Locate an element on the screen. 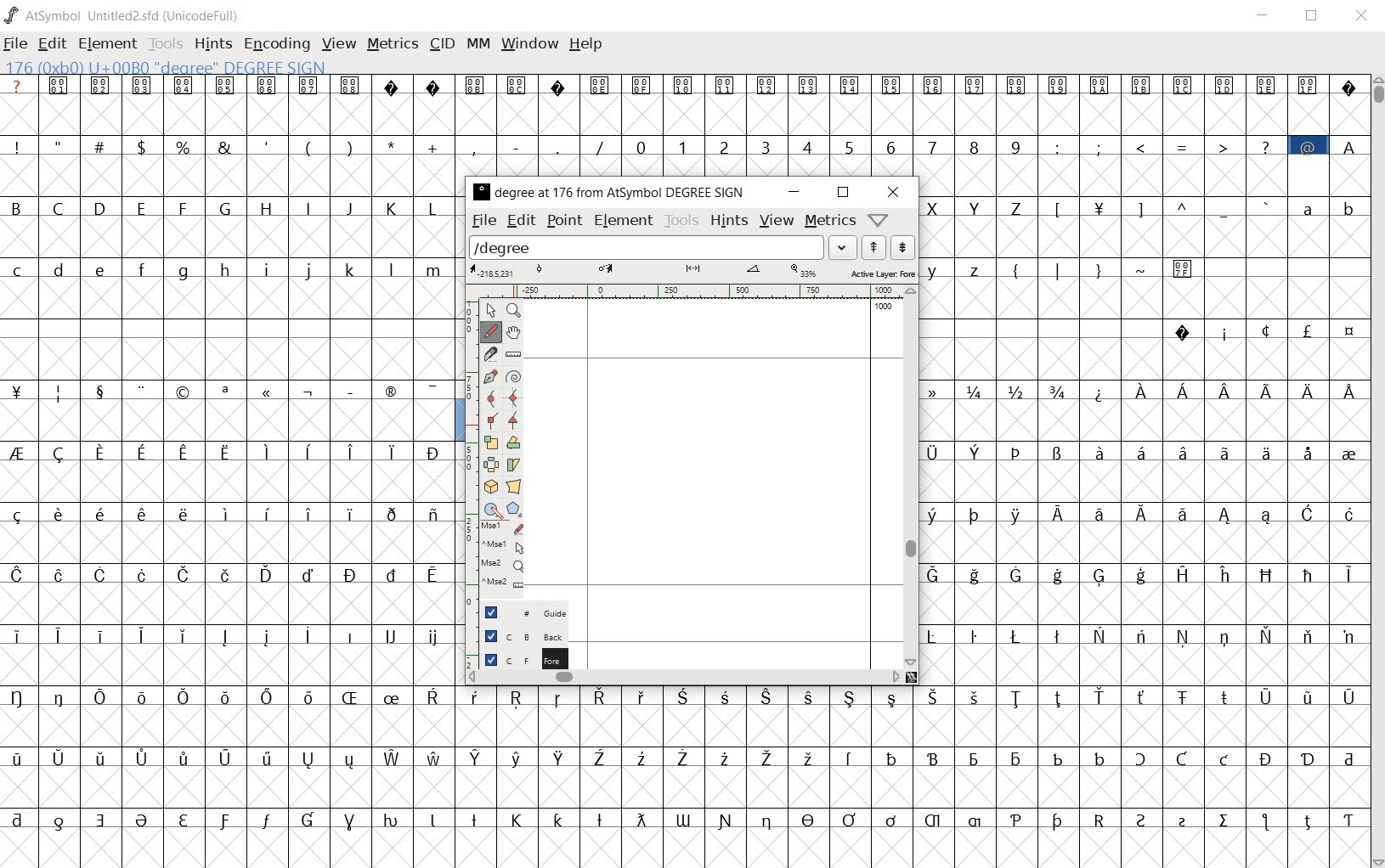  minimize is located at coordinates (1263, 15).